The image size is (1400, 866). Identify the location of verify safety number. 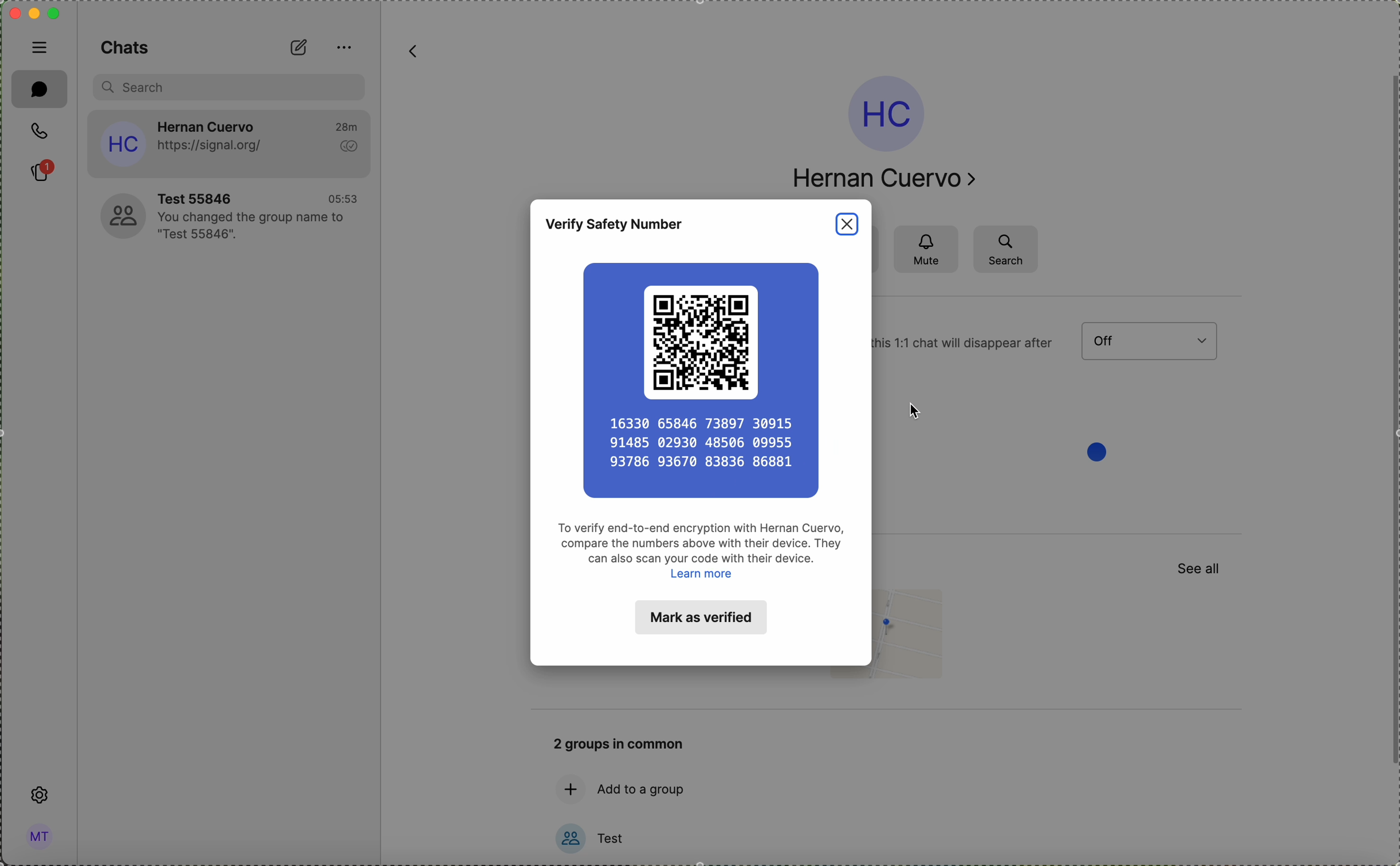
(612, 224).